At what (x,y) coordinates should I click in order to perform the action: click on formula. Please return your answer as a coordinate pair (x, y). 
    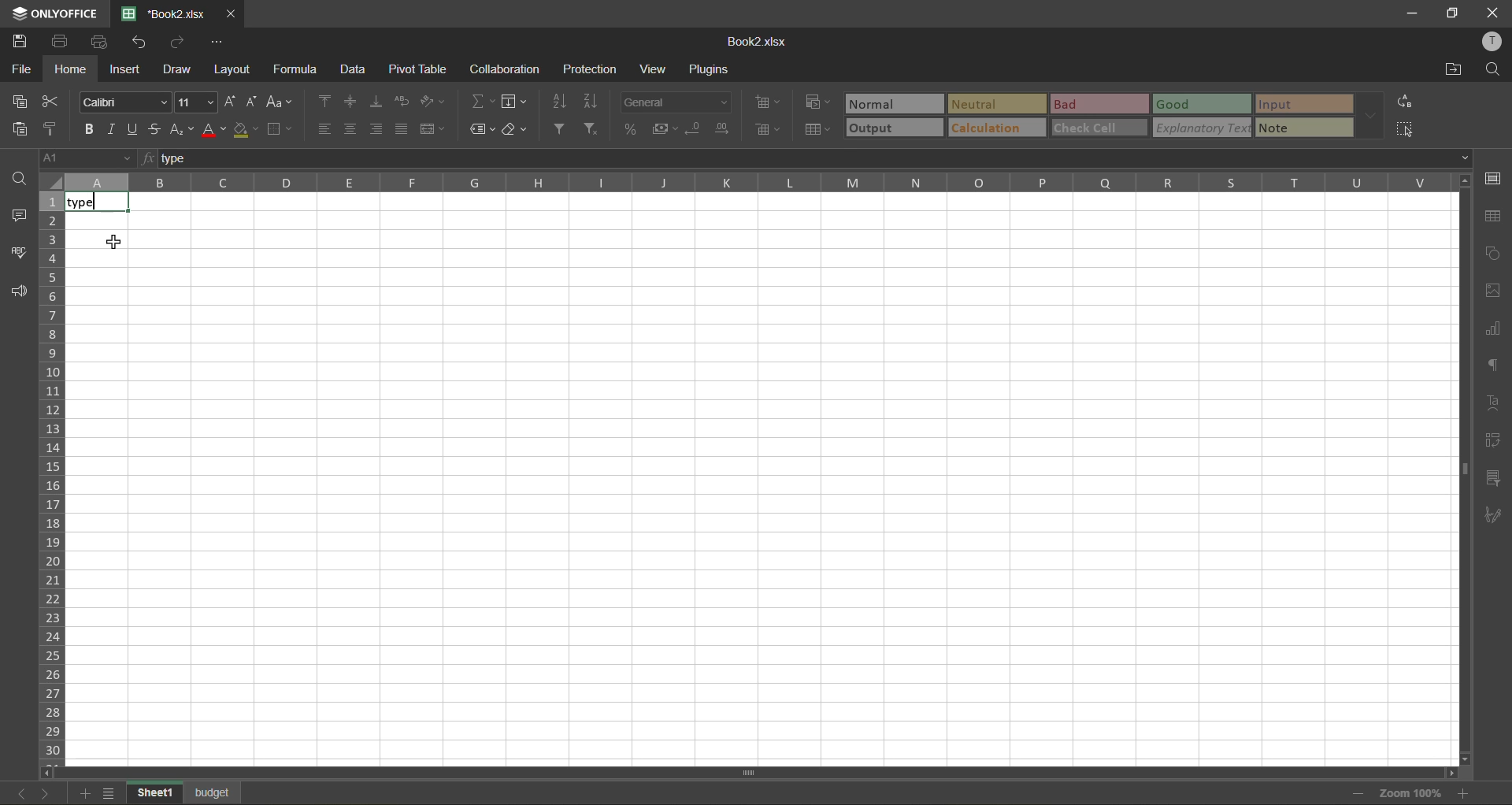
    Looking at the image, I should click on (295, 69).